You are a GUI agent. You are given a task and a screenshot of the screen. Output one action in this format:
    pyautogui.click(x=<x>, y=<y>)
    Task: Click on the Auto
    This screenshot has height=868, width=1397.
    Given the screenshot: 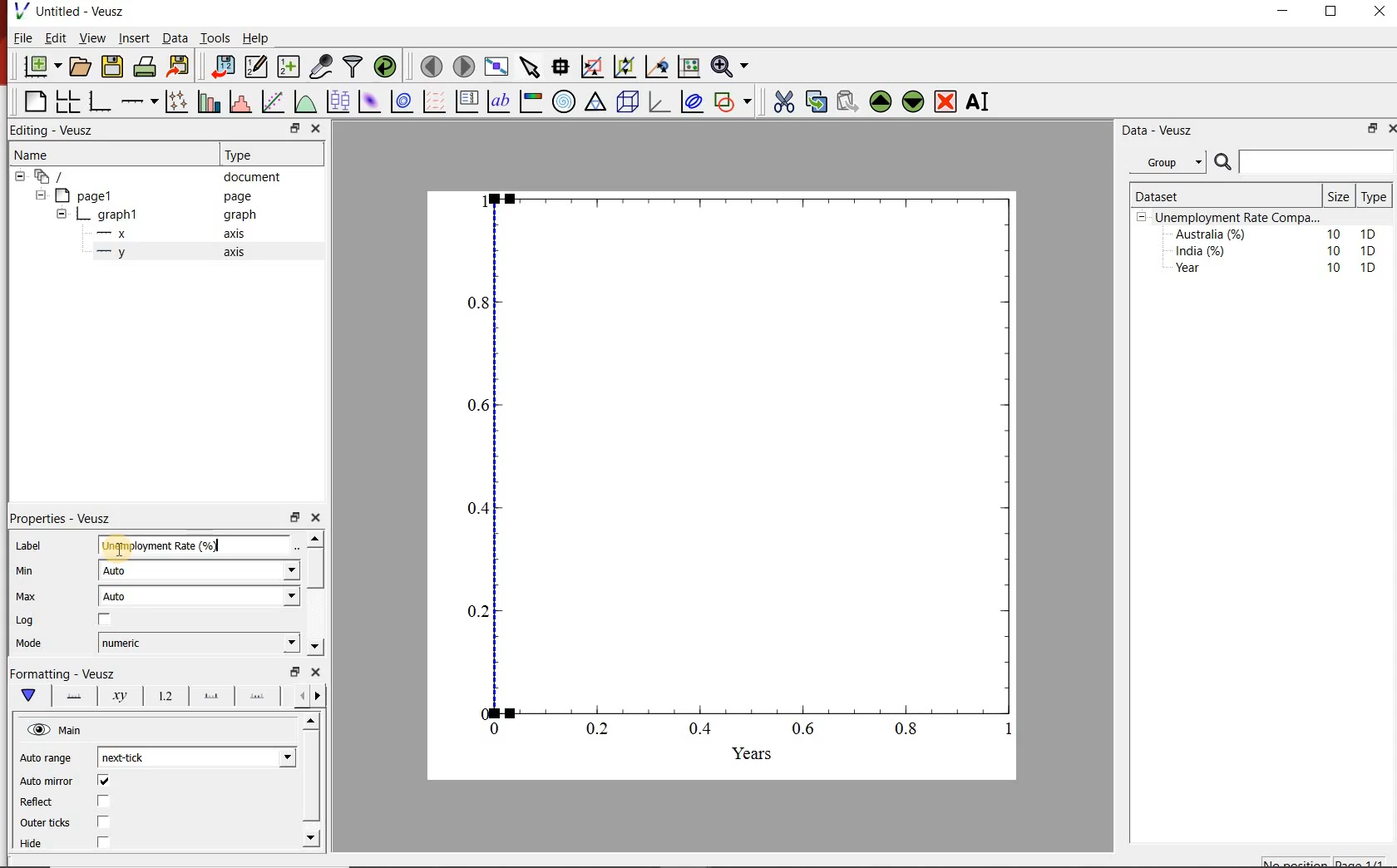 What is the action you would take?
    pyautogui.click(x=200, y=596)
    